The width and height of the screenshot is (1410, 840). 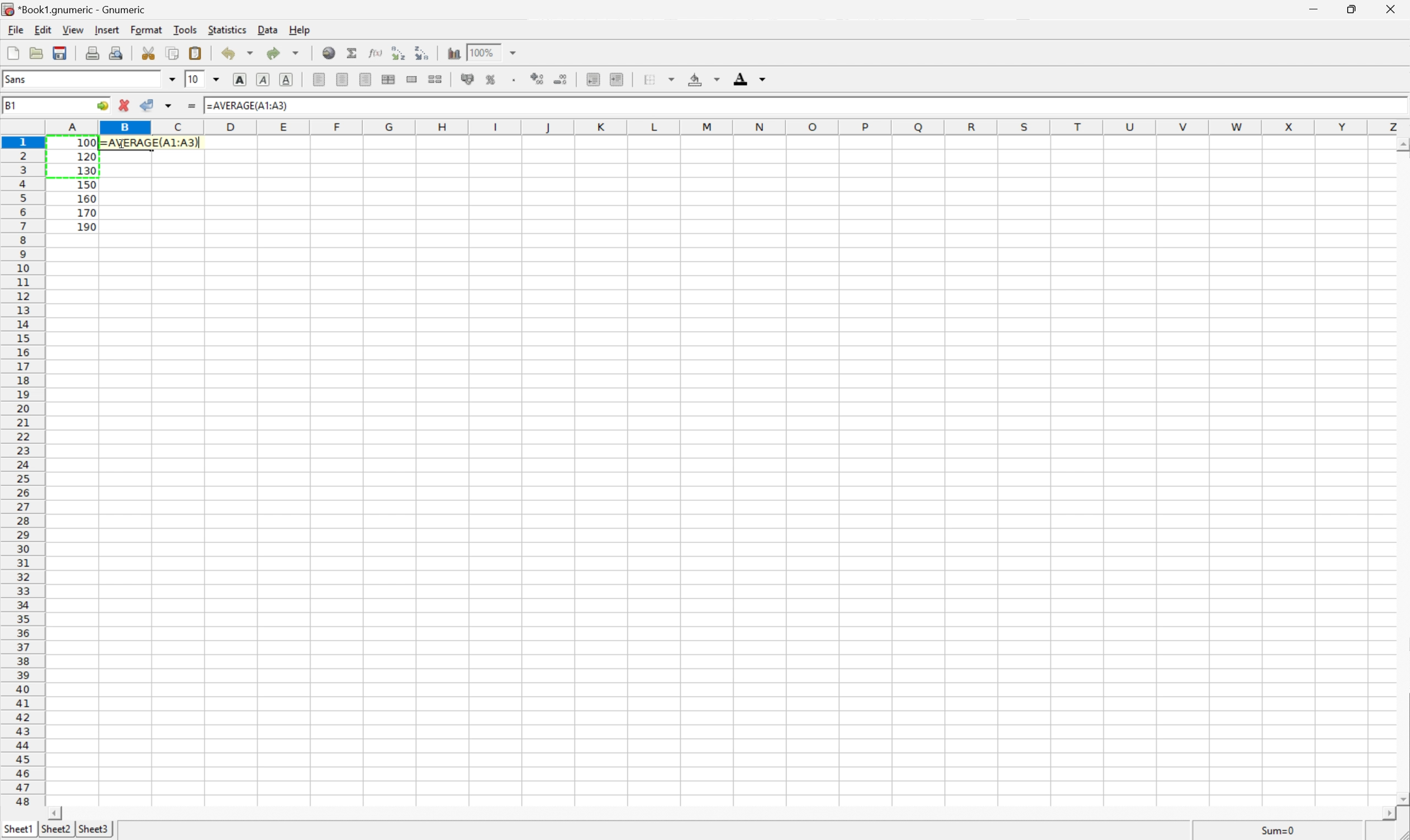 I want to click on Save current workbook, so click(x=63, y=53).